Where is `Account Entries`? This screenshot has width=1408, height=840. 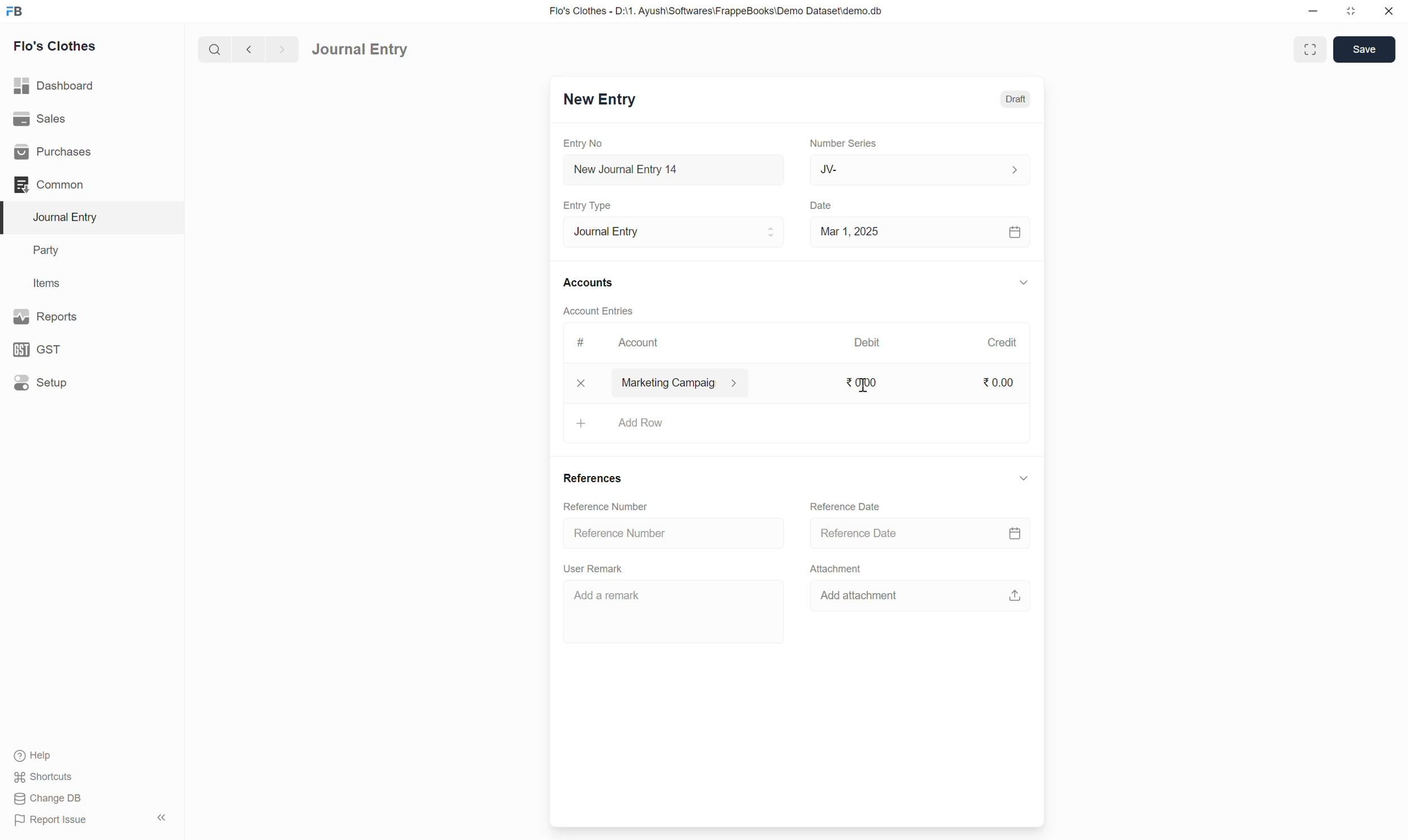
Account Entries is located at coordinates (599, 310).